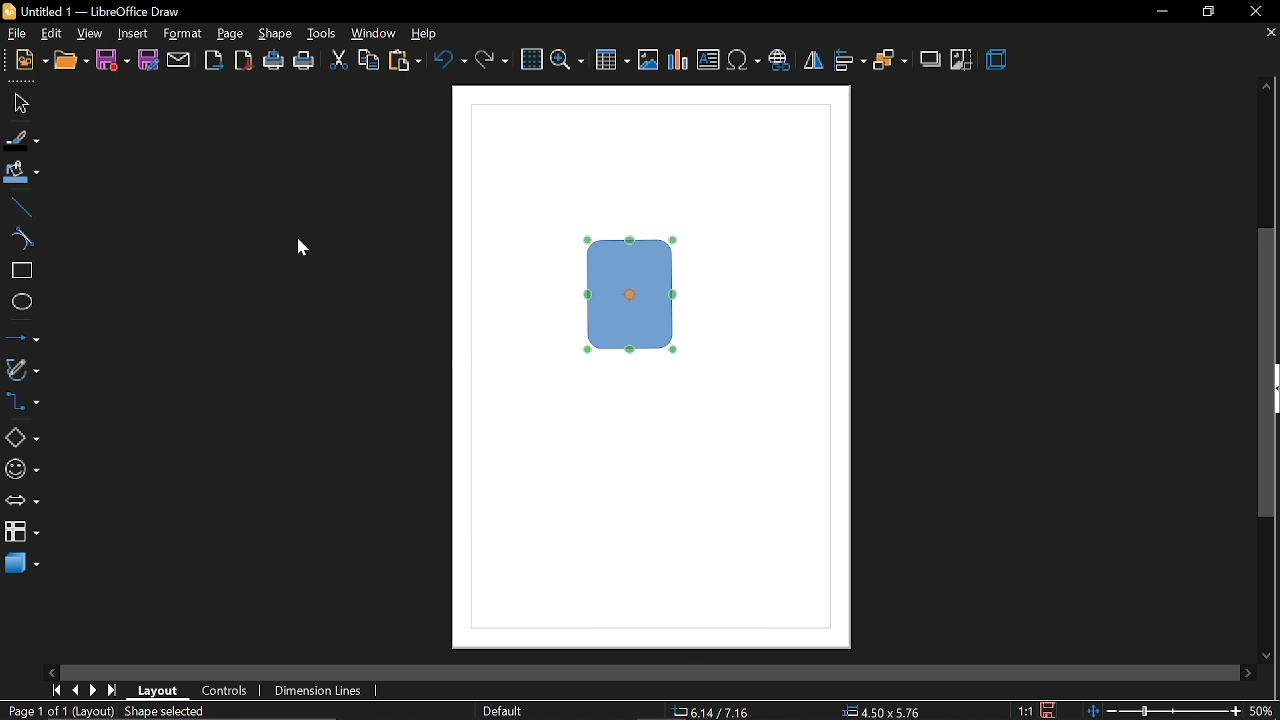 Image resolution: width=1280 pixels, height=720 pixels. I want to click on save, so click(114, 60).